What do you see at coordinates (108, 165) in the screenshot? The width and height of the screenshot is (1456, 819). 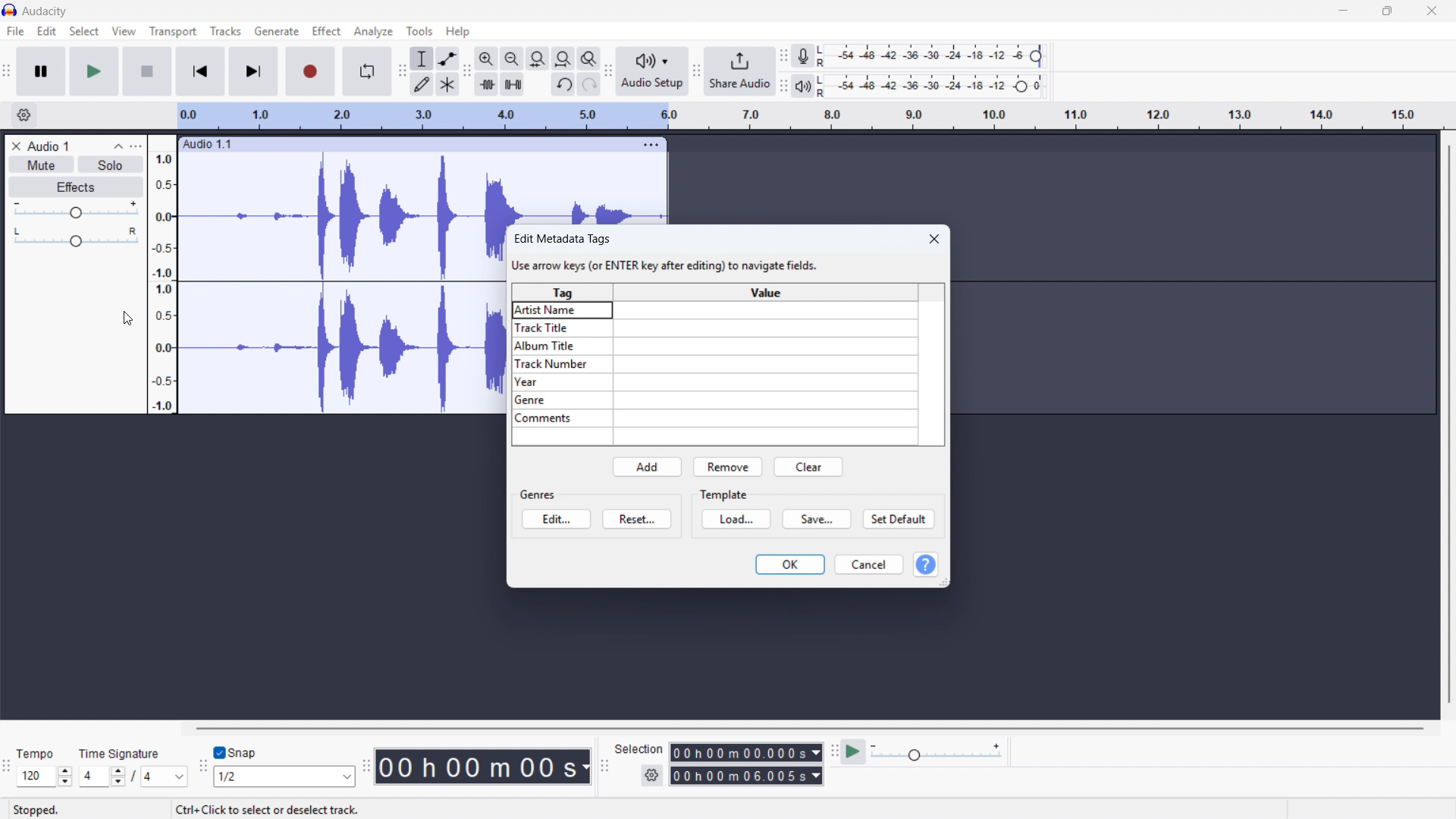 I see `solo` at bounding box center [108, 165].